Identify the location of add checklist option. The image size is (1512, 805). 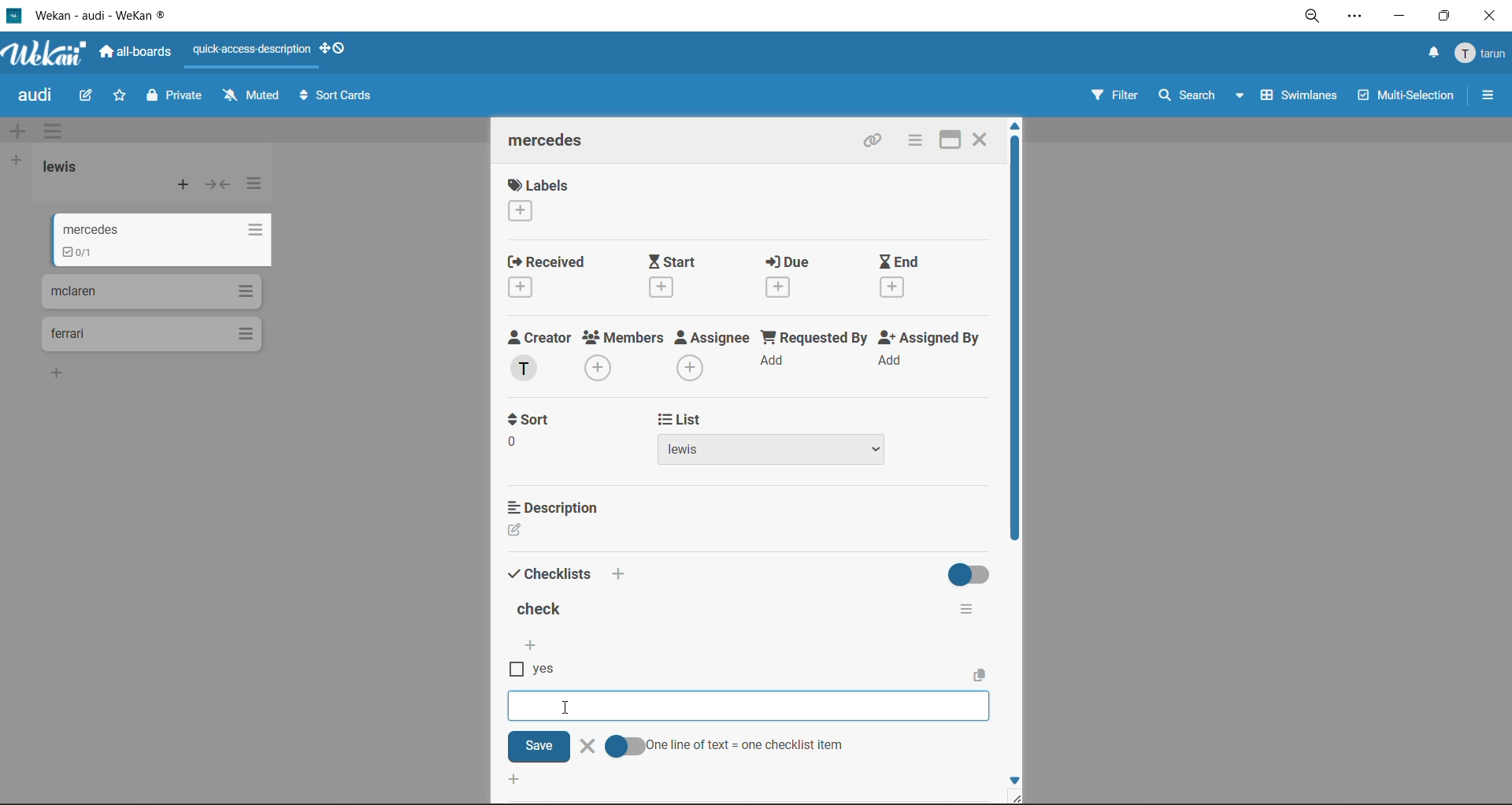
(756, 705).